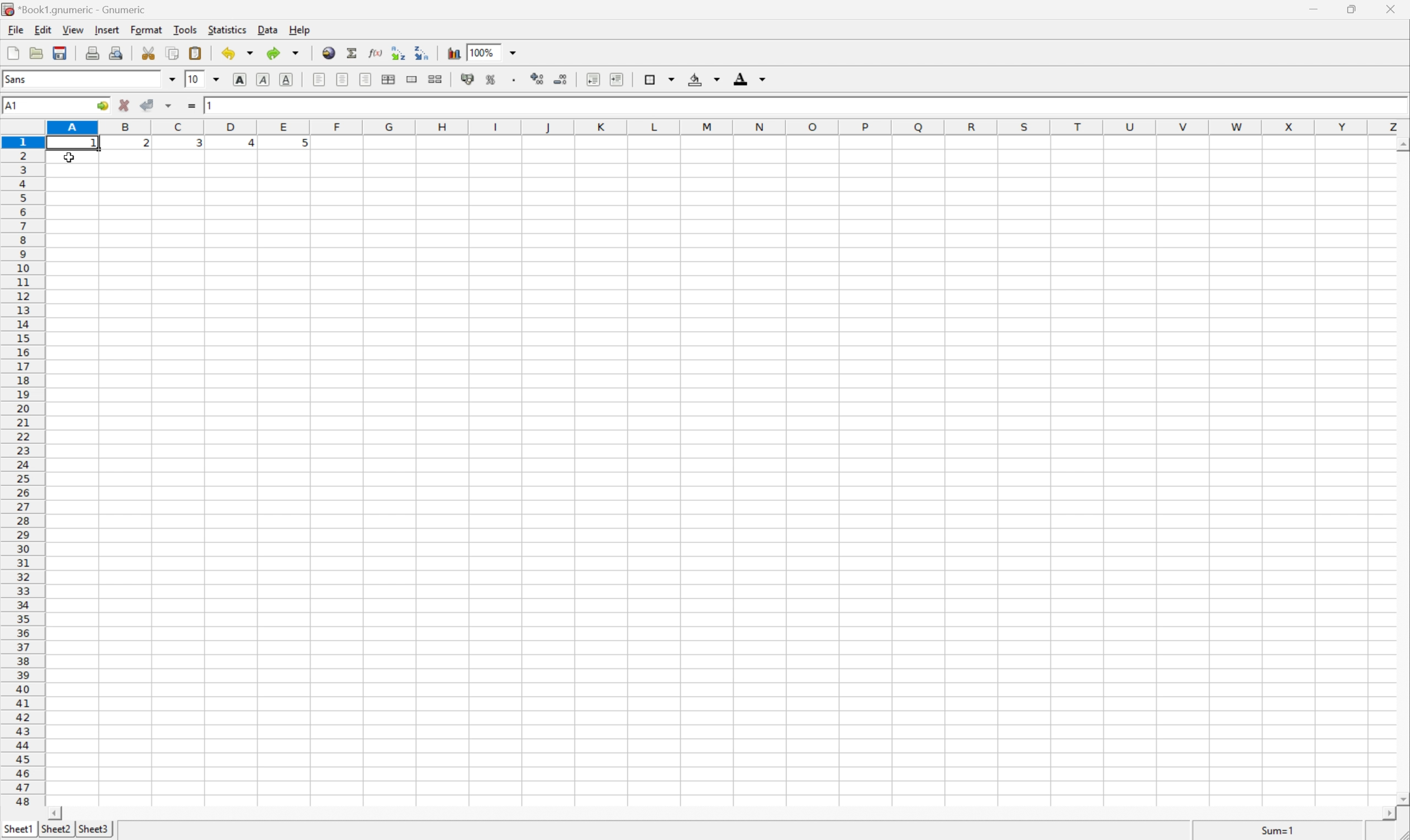 The image size is (1410, 840). I want to click on insert hyperlink, so click(329, 52).